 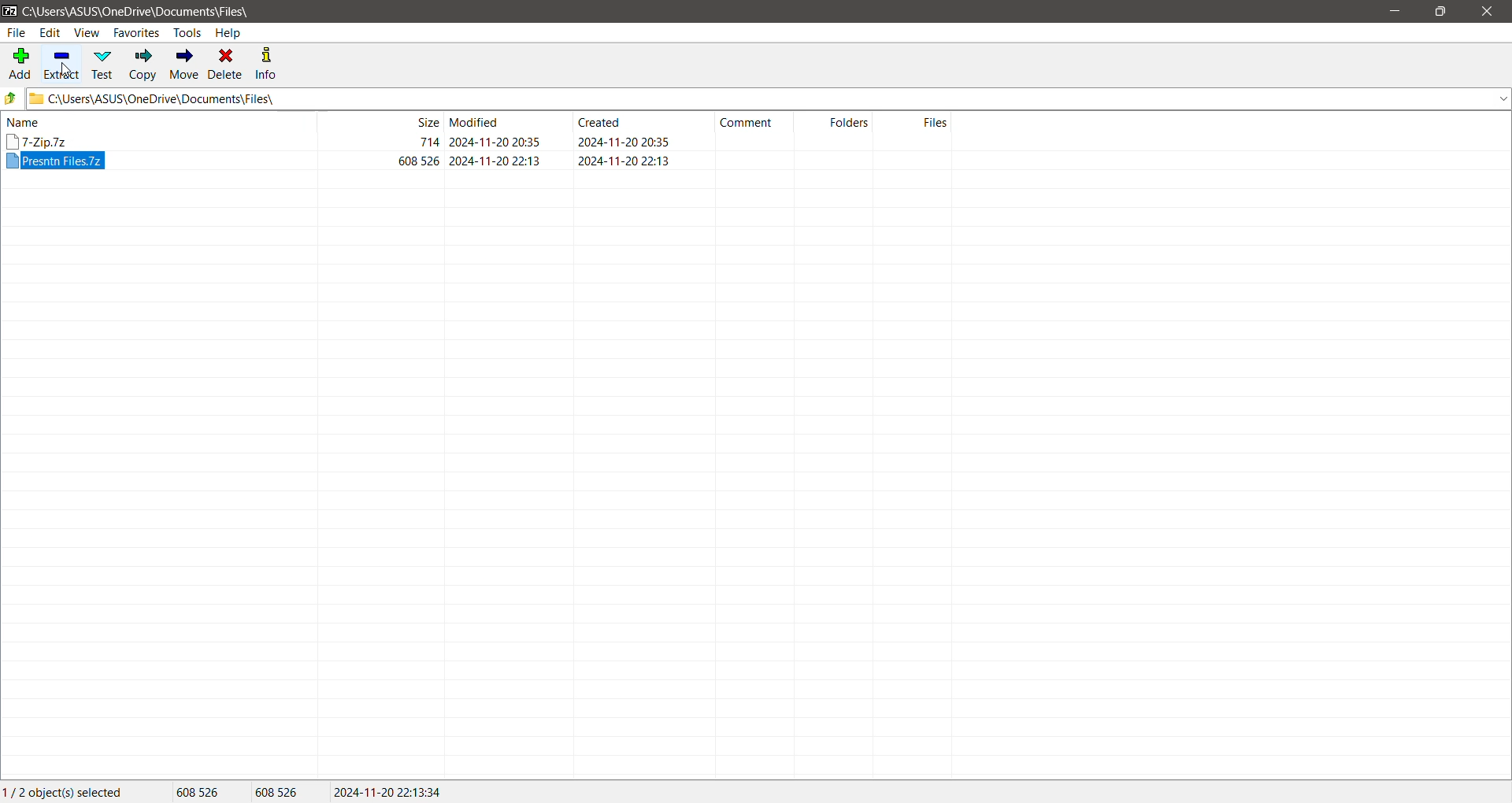 I want to click on Move, so click(x=185, y=65).